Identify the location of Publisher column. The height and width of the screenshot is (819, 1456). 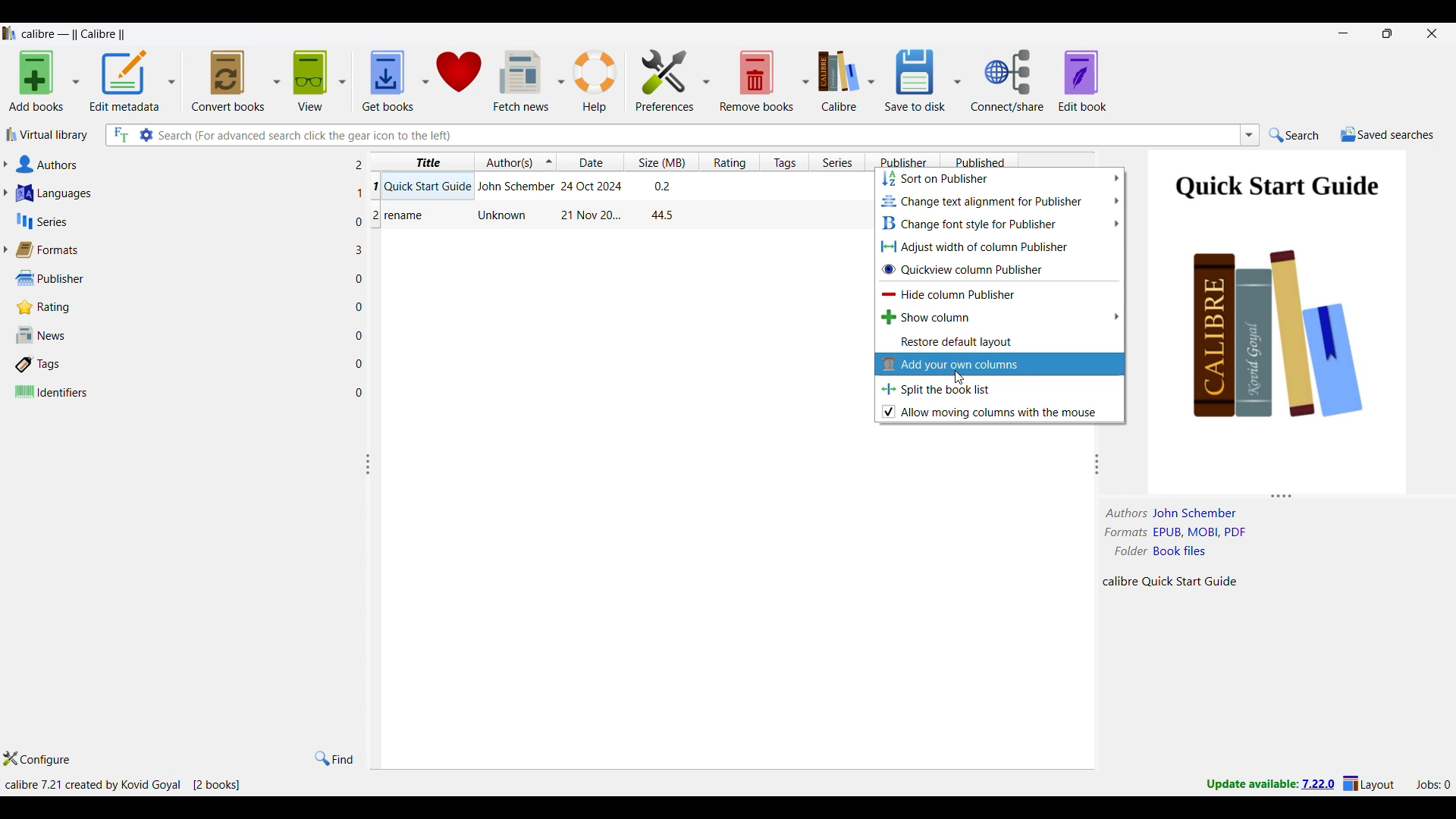
(902, 162).